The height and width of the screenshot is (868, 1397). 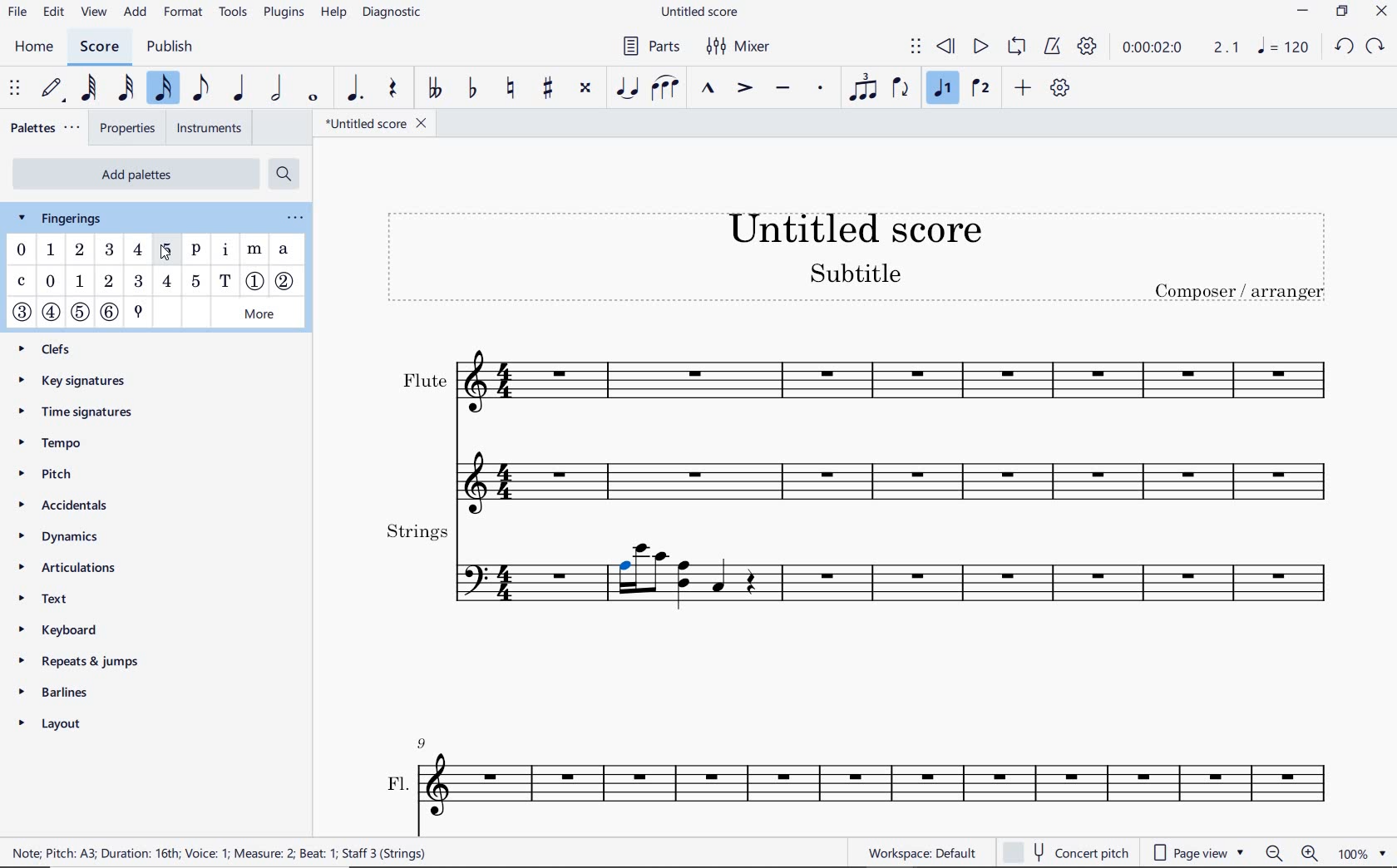 I want to click on 64th note, so click(x=91, y=86).